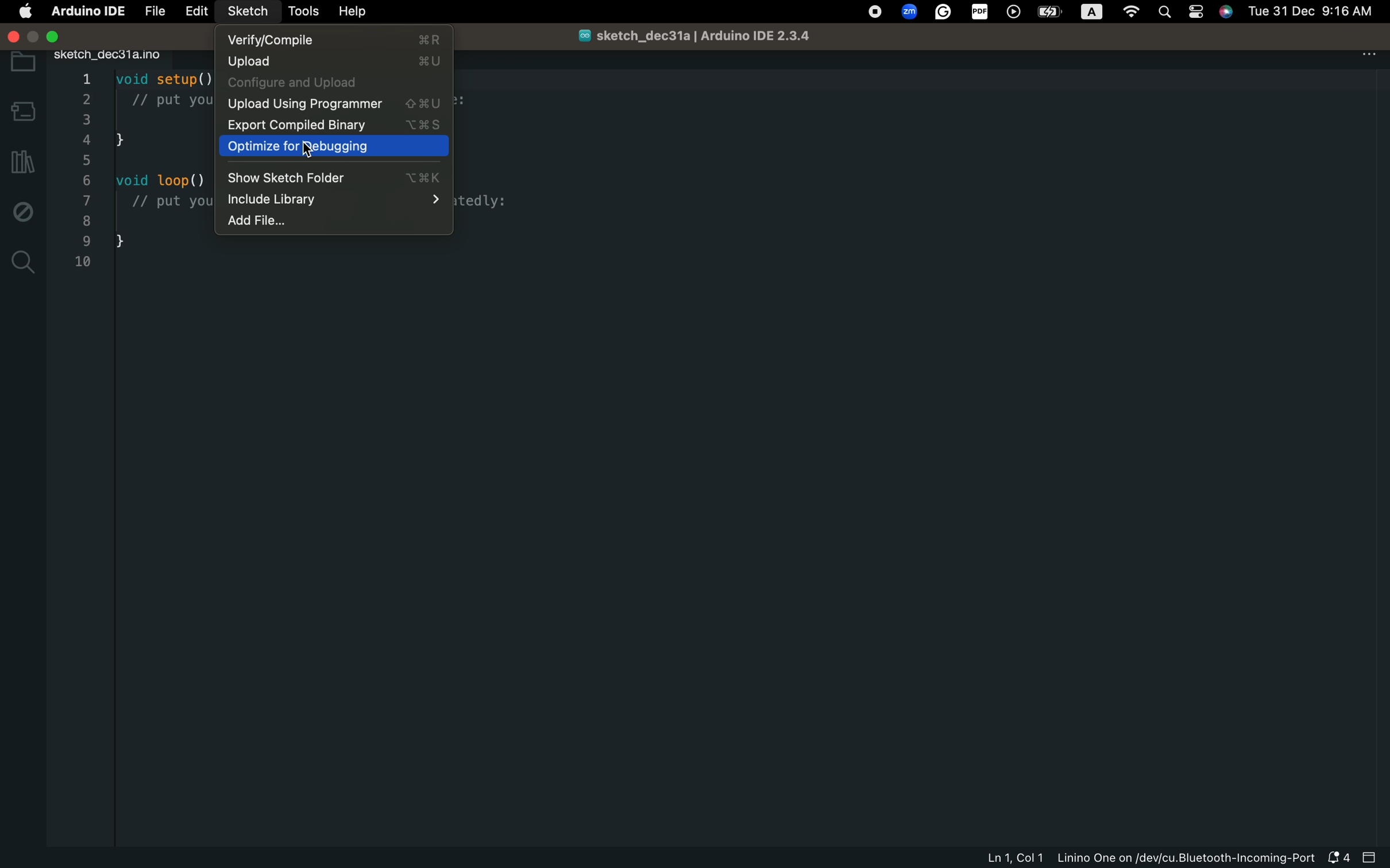  Describe the element at coordinates (325, 223) in the screenshot. I see `add file` at that location.